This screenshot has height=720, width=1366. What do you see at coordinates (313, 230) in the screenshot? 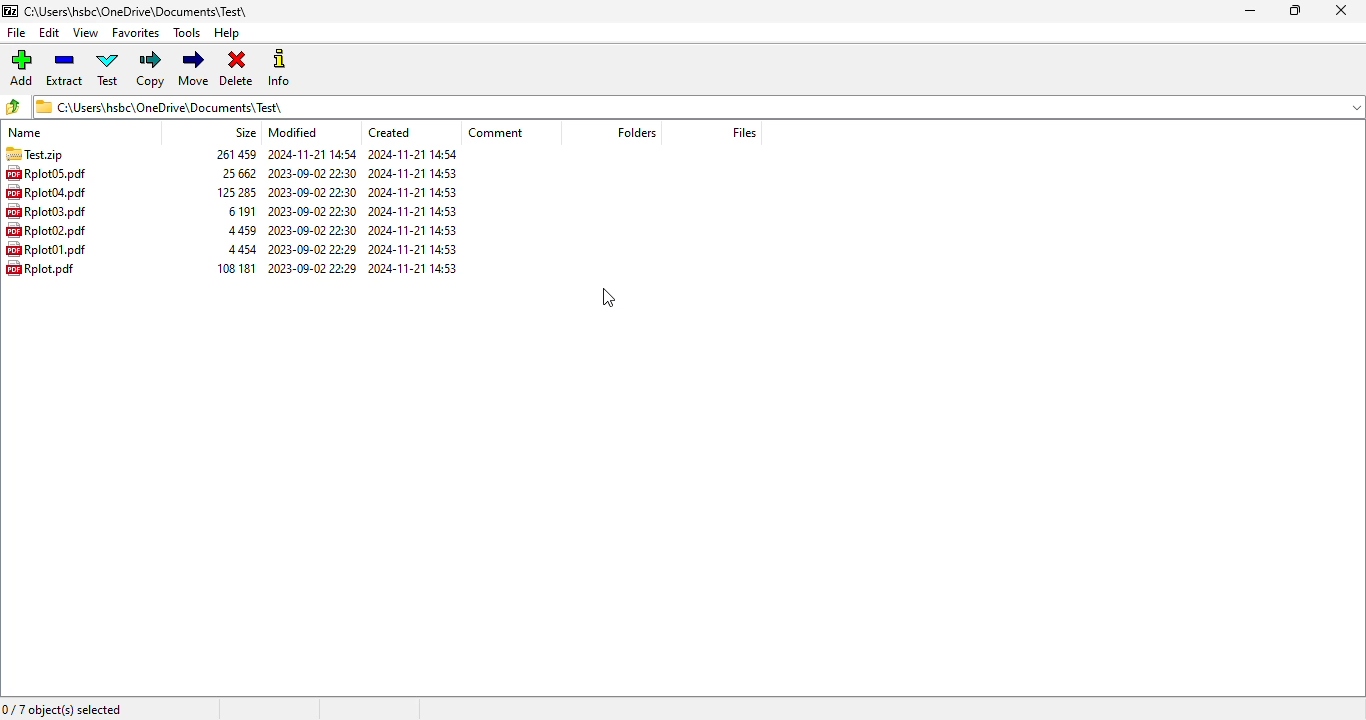
I see `modified date & time` at bounding box center [313, 230].